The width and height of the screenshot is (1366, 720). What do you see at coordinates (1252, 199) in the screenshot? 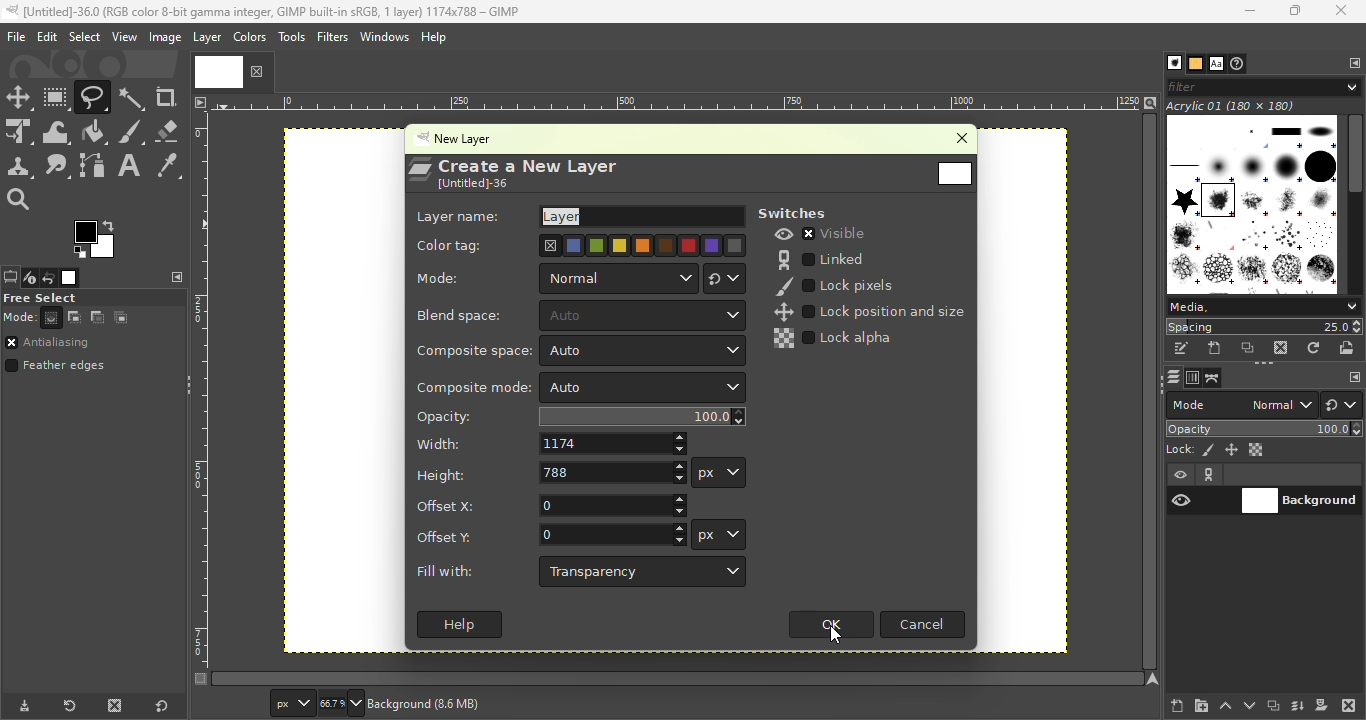
I see `Image box` at bounding box center [1252, 199].